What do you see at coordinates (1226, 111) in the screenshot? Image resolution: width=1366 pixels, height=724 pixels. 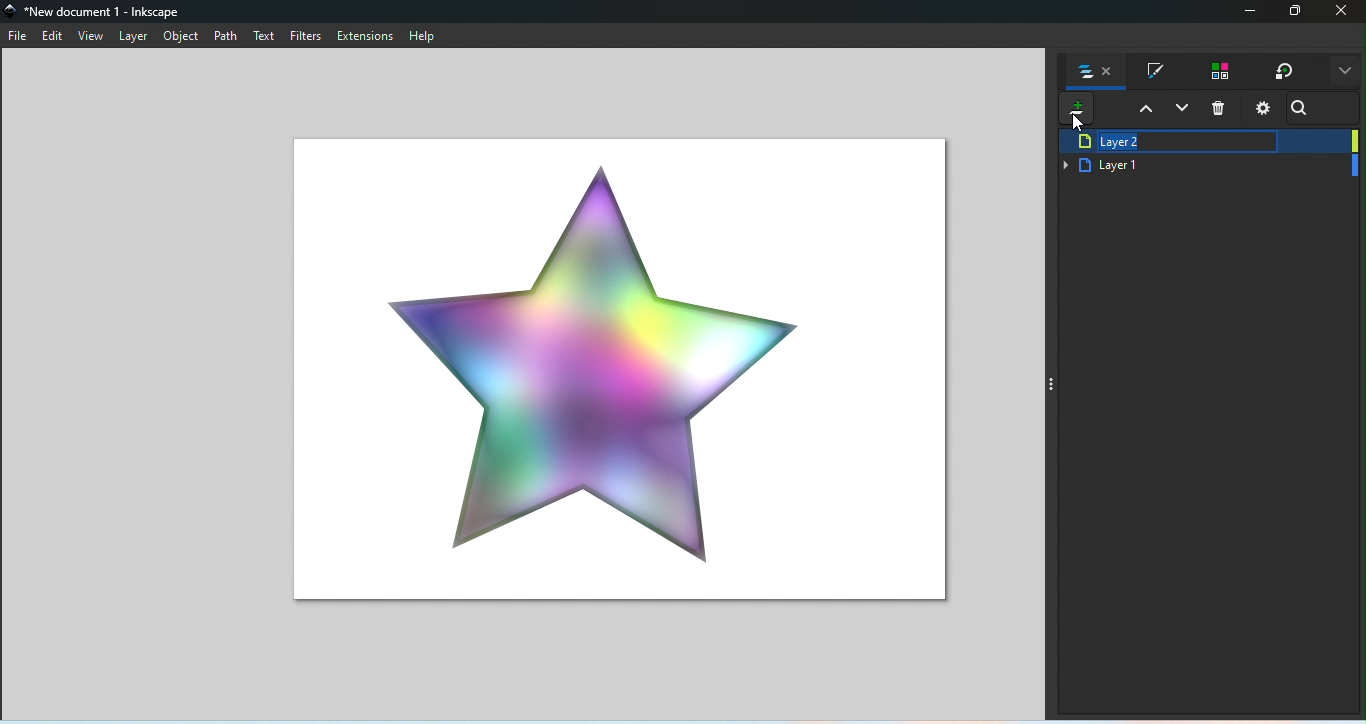 I see `Delete selected items` at bounding box center [1226, 111].